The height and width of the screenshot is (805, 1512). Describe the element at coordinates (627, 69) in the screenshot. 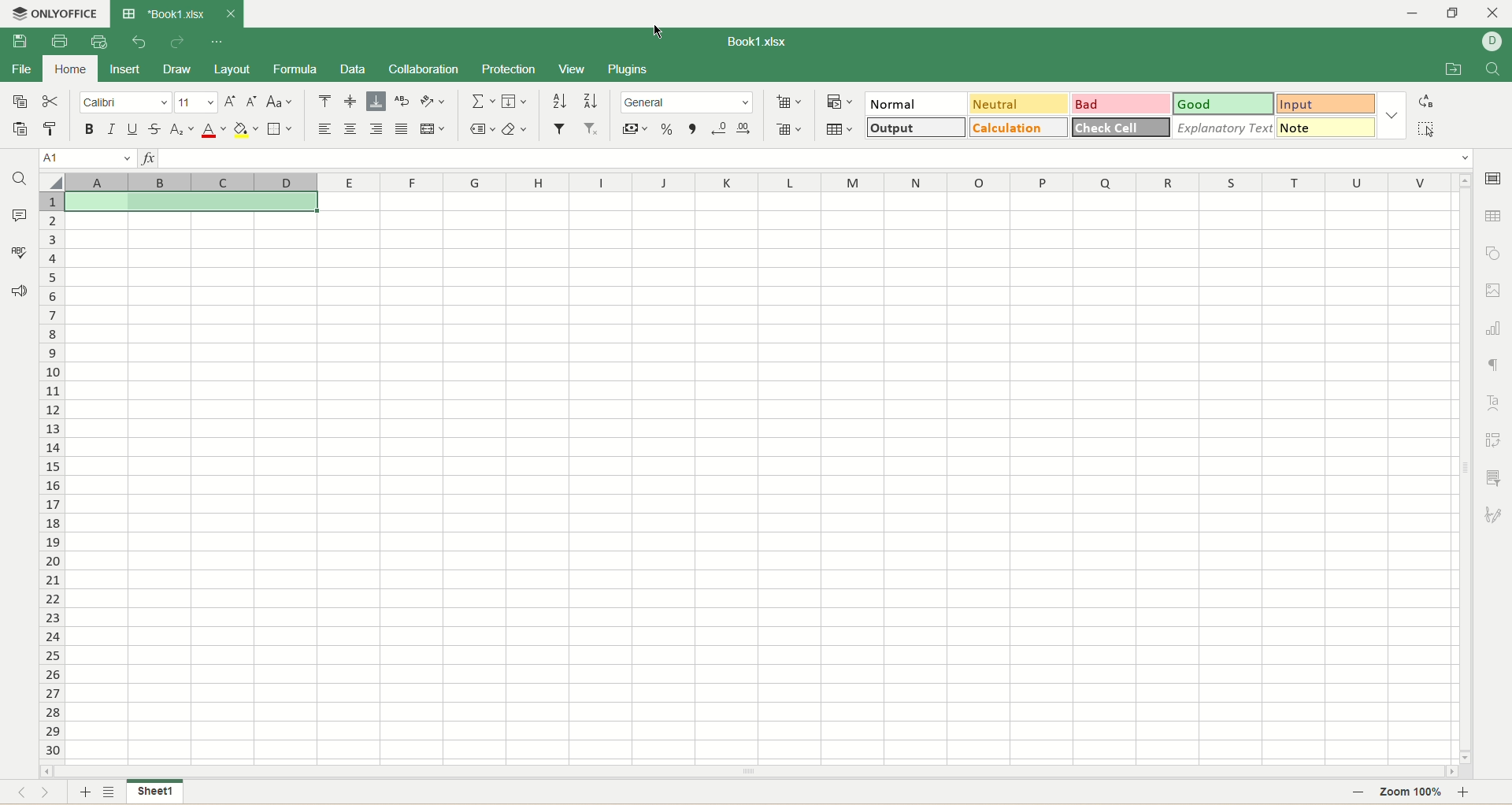

I see `plugins` at that location.